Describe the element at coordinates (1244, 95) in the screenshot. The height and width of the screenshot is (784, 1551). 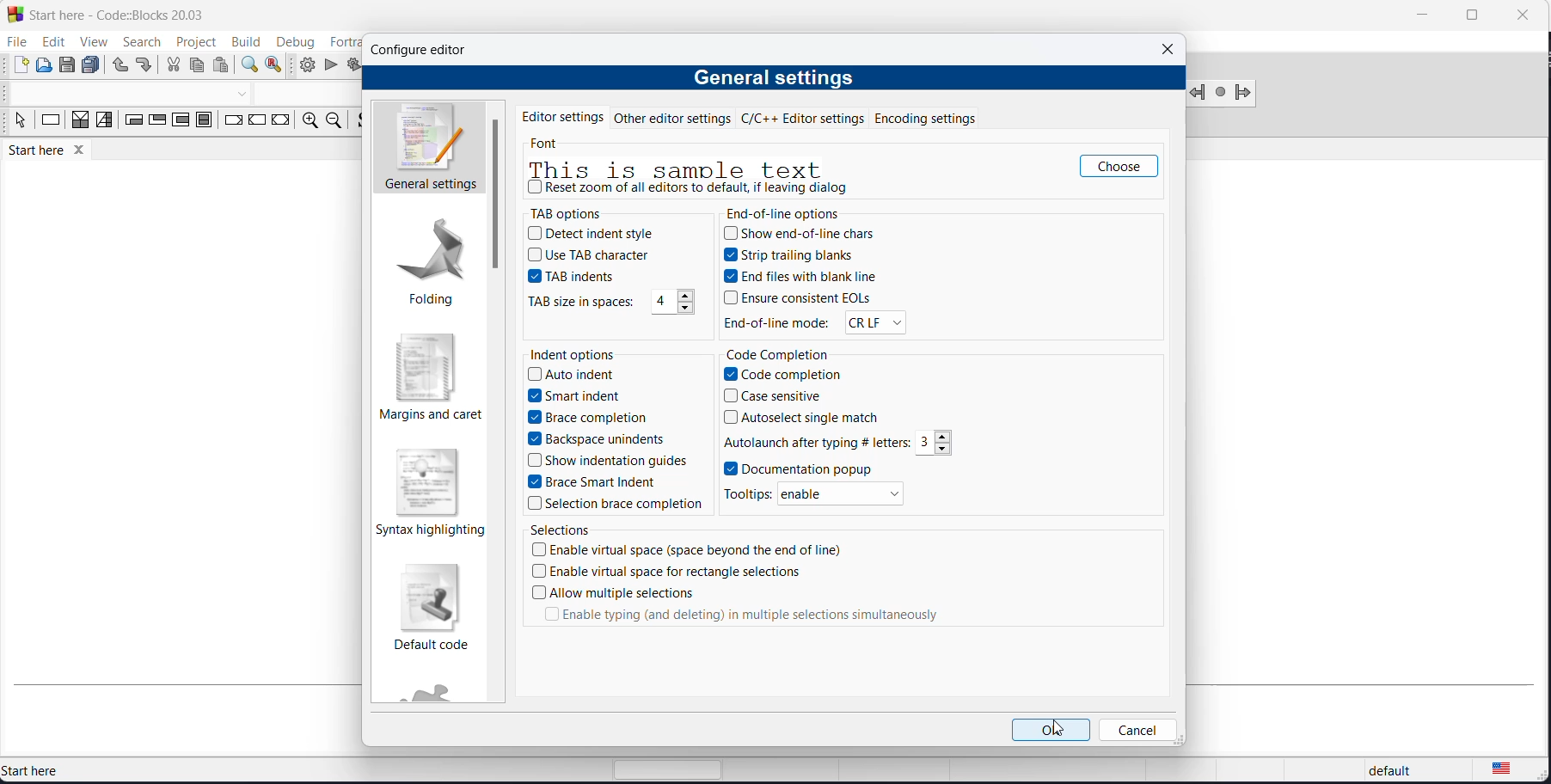
I see `jump forward` at that location.